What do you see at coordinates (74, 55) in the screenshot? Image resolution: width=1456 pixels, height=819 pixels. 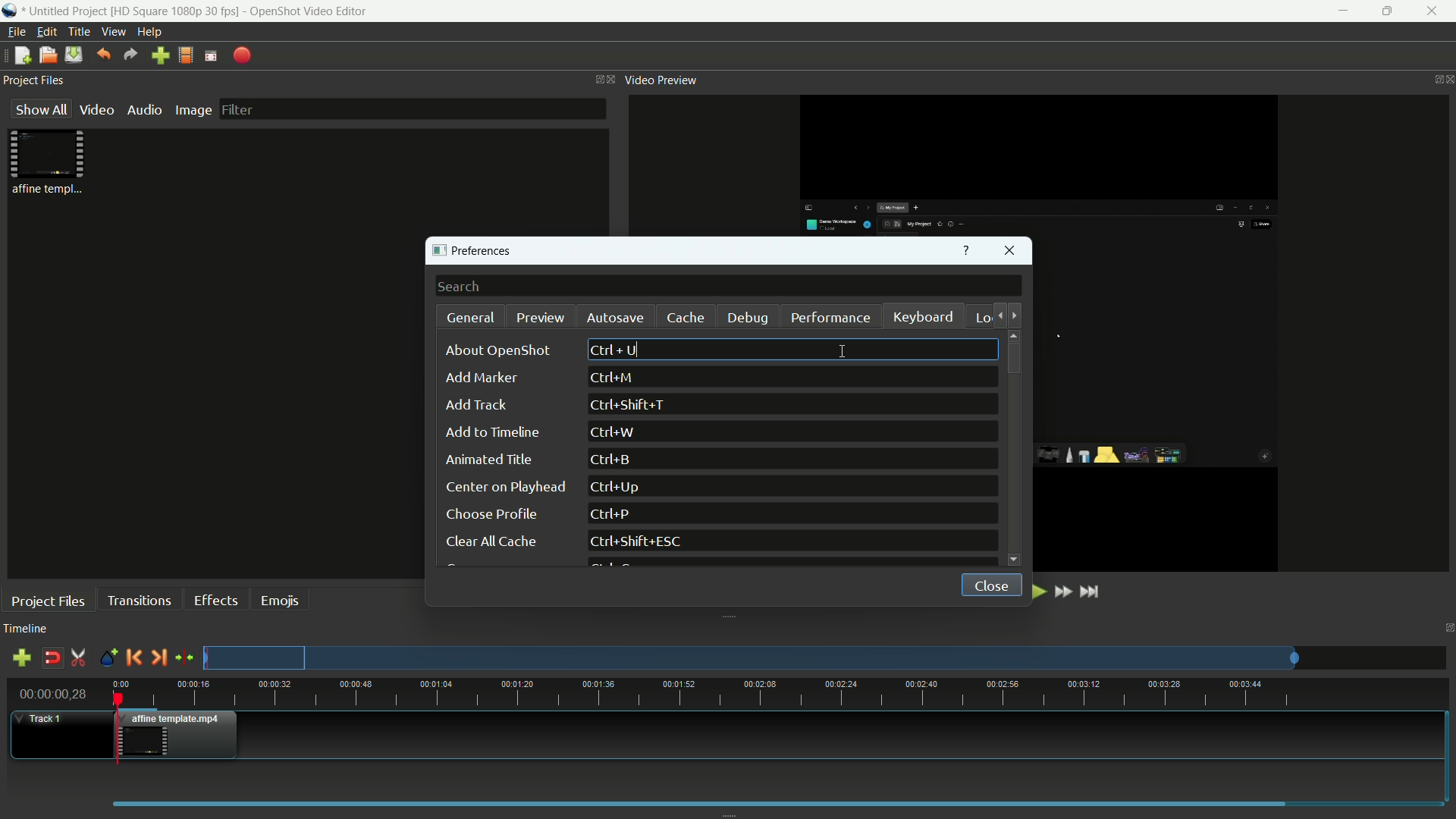 I see `save file` at bounding box center [74, 55].